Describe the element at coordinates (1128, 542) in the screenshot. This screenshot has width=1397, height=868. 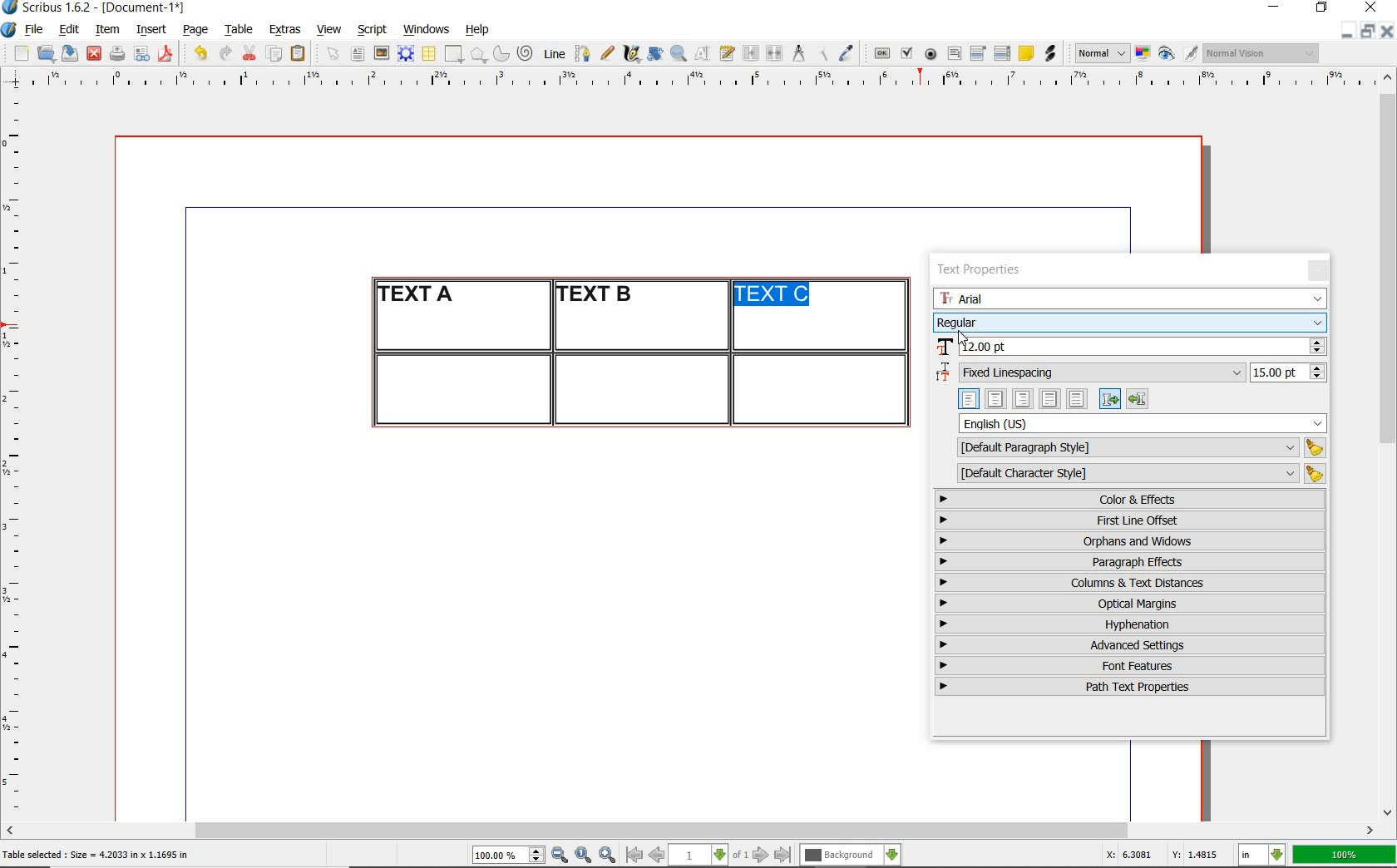
I see `orphans & windows` at that location.